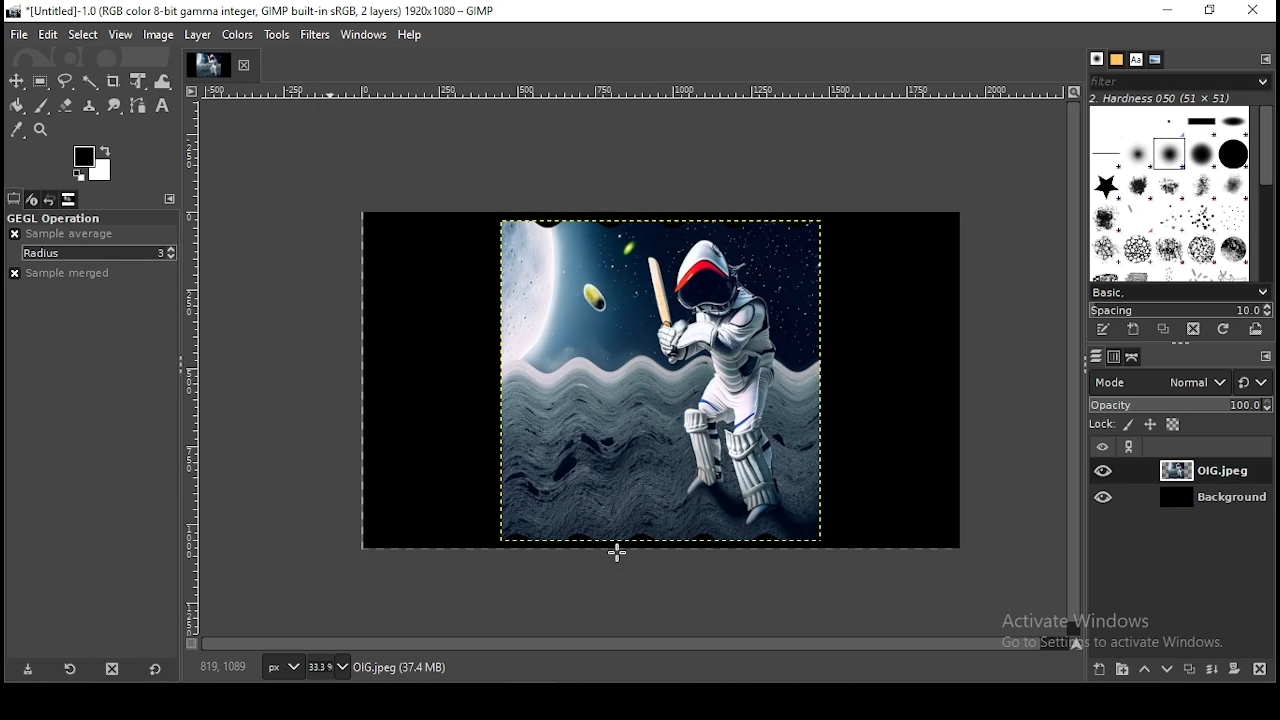 This screenshot has height=720, width=1280. Describe the element at coordinates (43, 82) in the screenshot. I see `rectangle select tool` at that location.